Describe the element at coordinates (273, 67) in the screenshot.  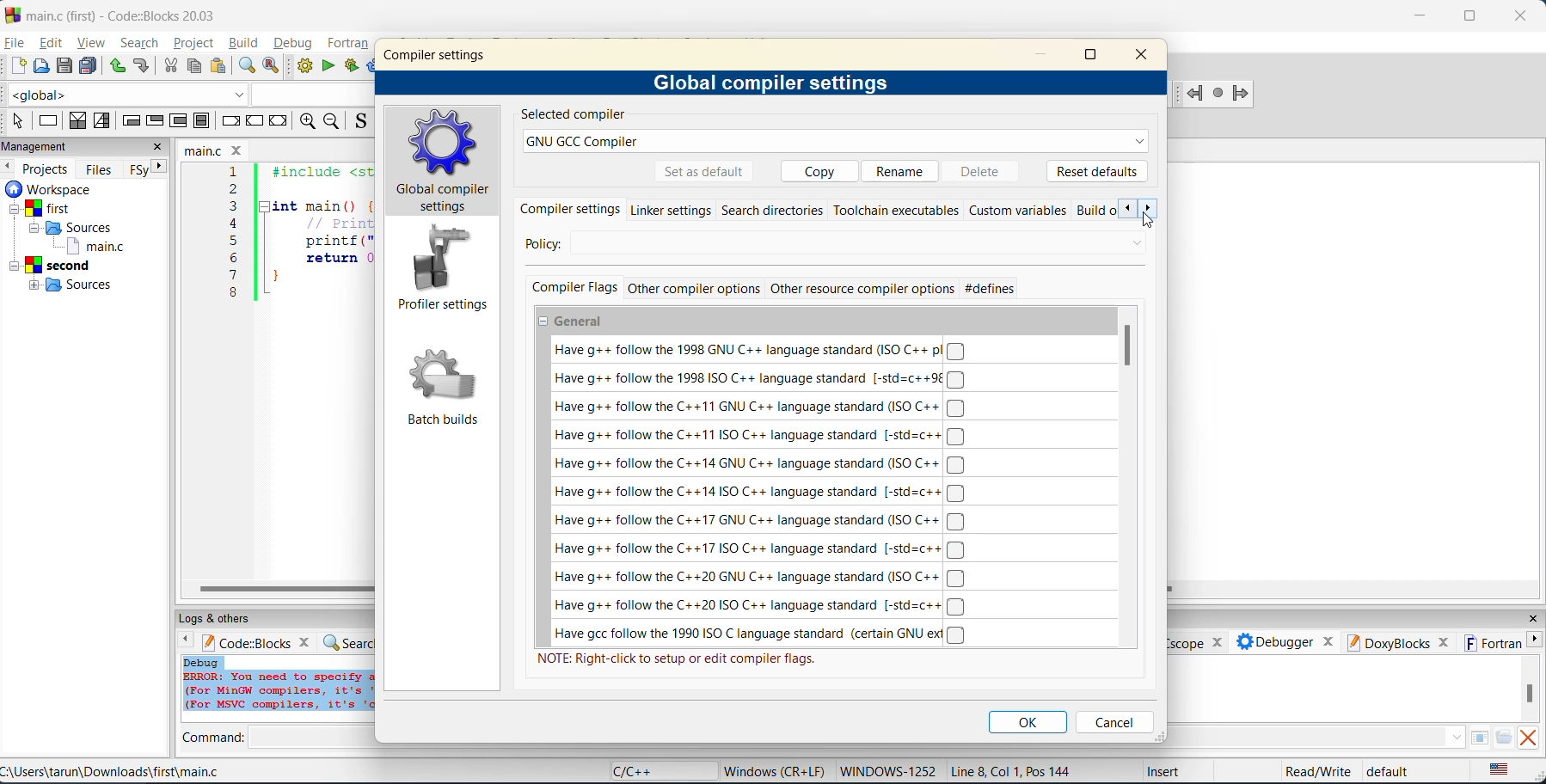
I see `replace` at that location.